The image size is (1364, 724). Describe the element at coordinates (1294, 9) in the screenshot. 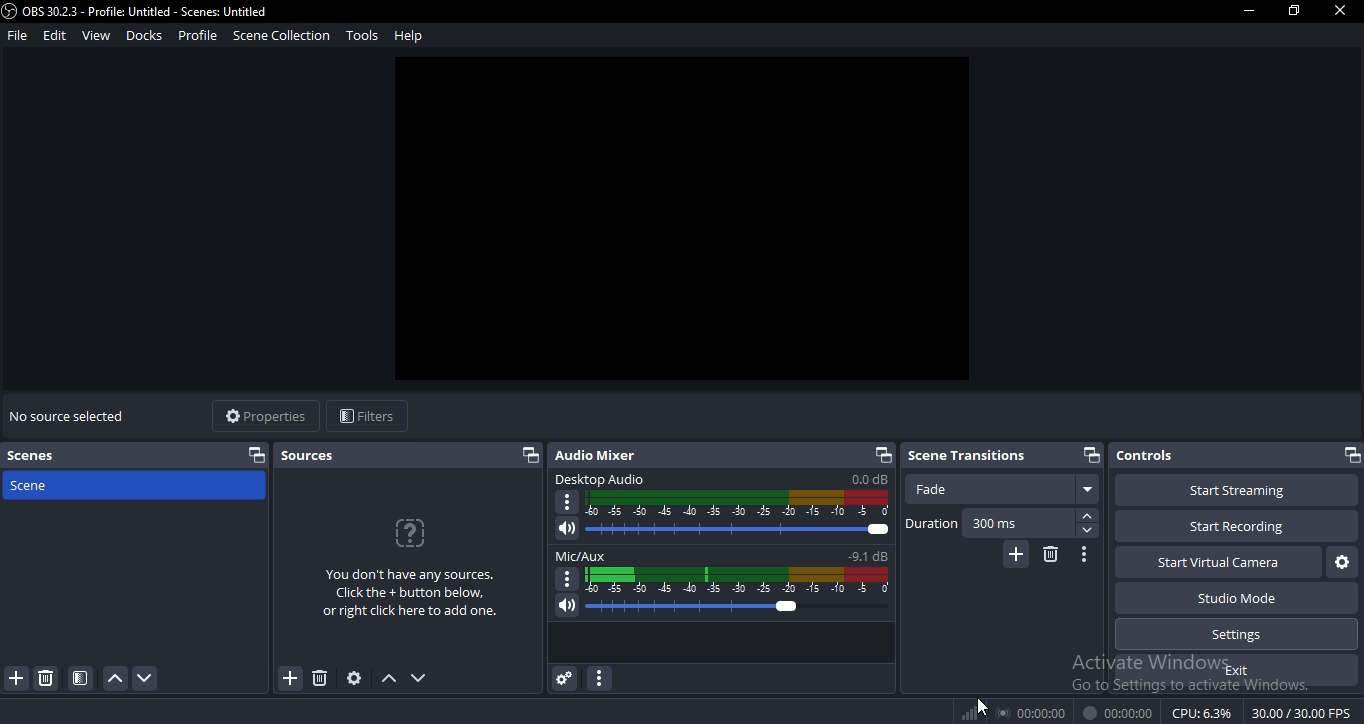

I see `restore` at that location.